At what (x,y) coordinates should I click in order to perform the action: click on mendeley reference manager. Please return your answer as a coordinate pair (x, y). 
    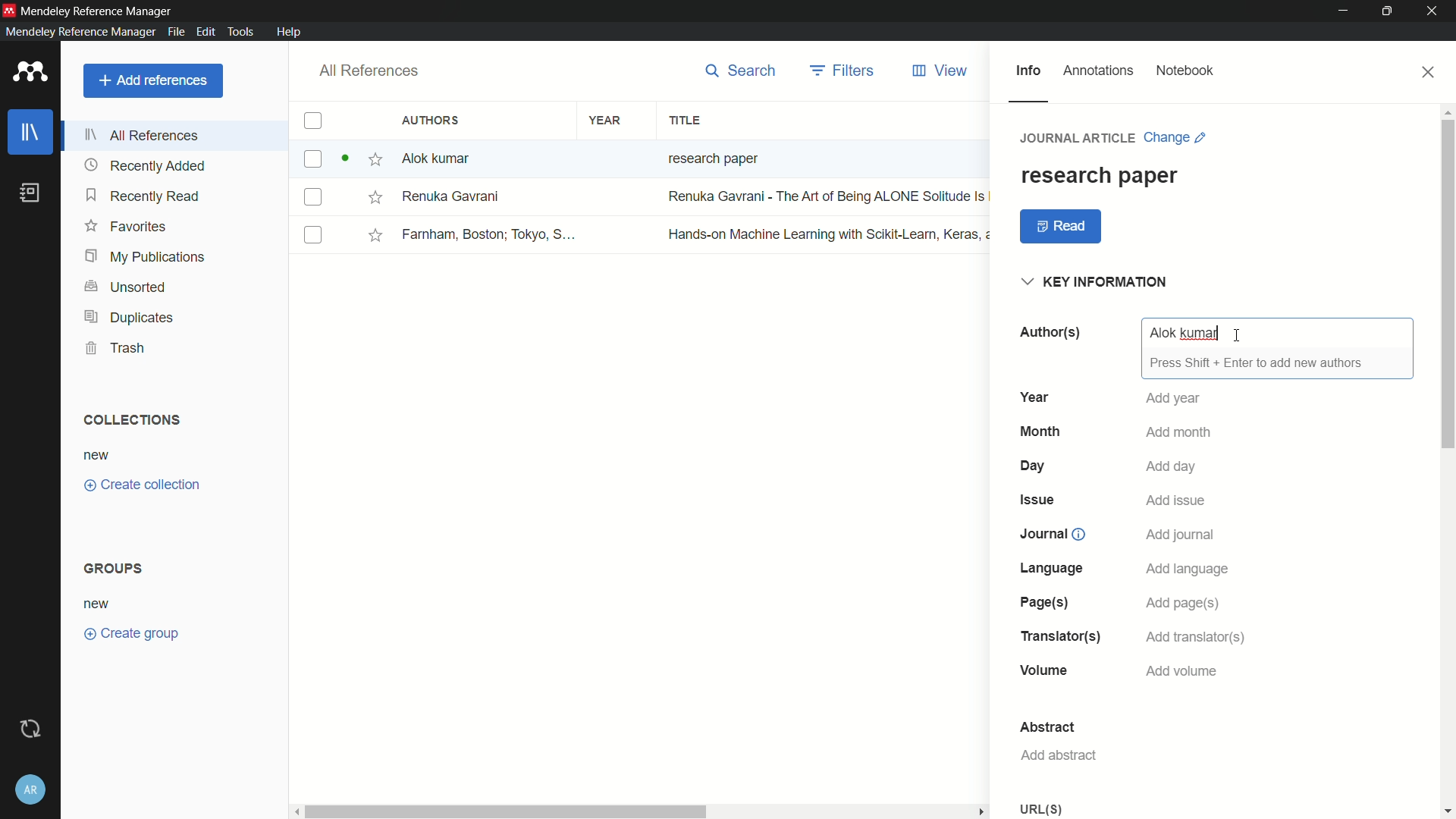
    Looking at the image, I should click on (80, 31).